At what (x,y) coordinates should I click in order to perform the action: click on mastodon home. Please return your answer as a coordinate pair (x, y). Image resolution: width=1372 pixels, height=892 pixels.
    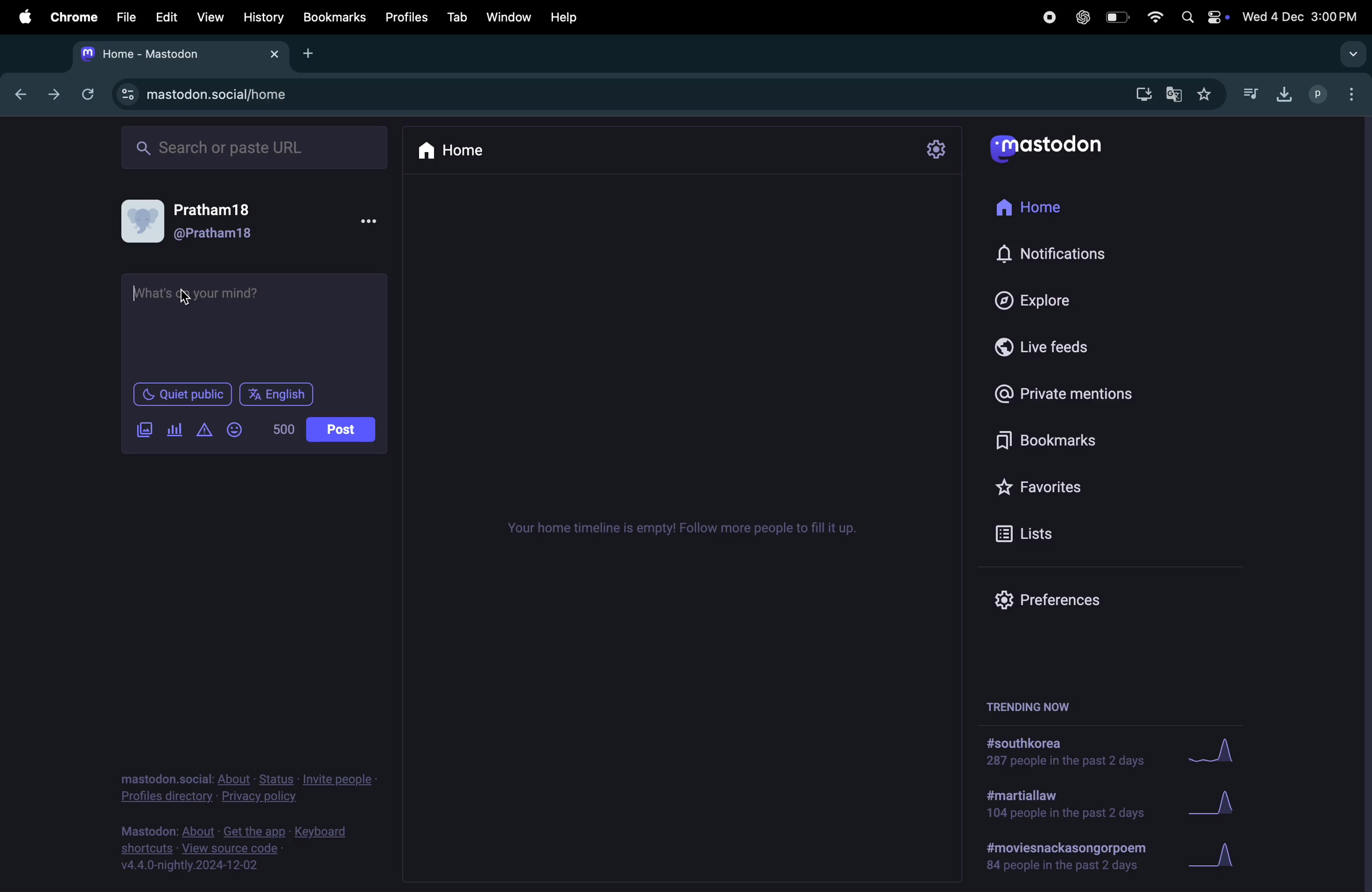
    Looking at the image, I should click on (179, 54).